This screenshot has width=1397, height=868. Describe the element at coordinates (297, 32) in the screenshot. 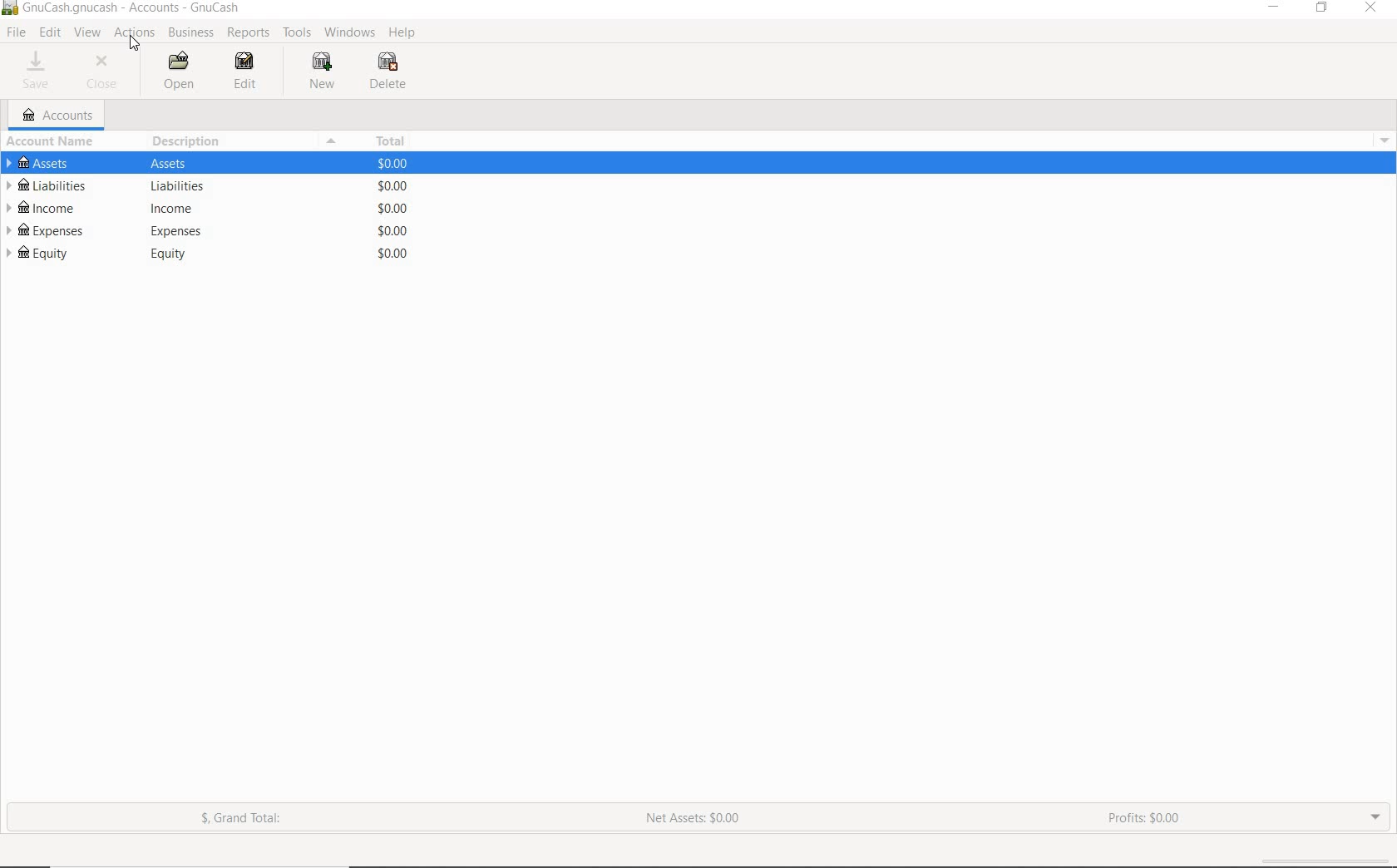

I see `TOOLS` at that location.